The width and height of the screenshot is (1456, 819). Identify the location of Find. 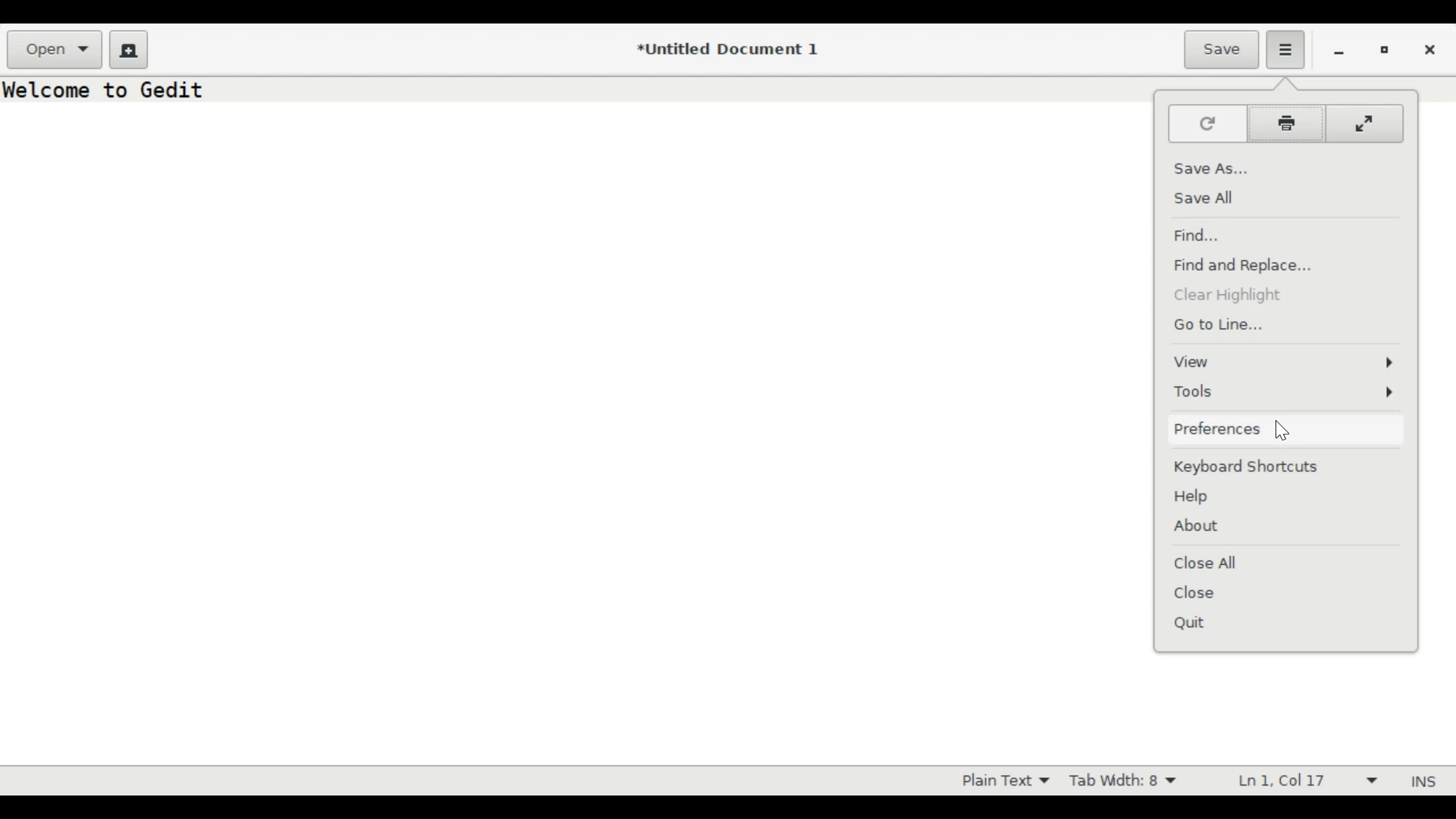
(1199, 234).